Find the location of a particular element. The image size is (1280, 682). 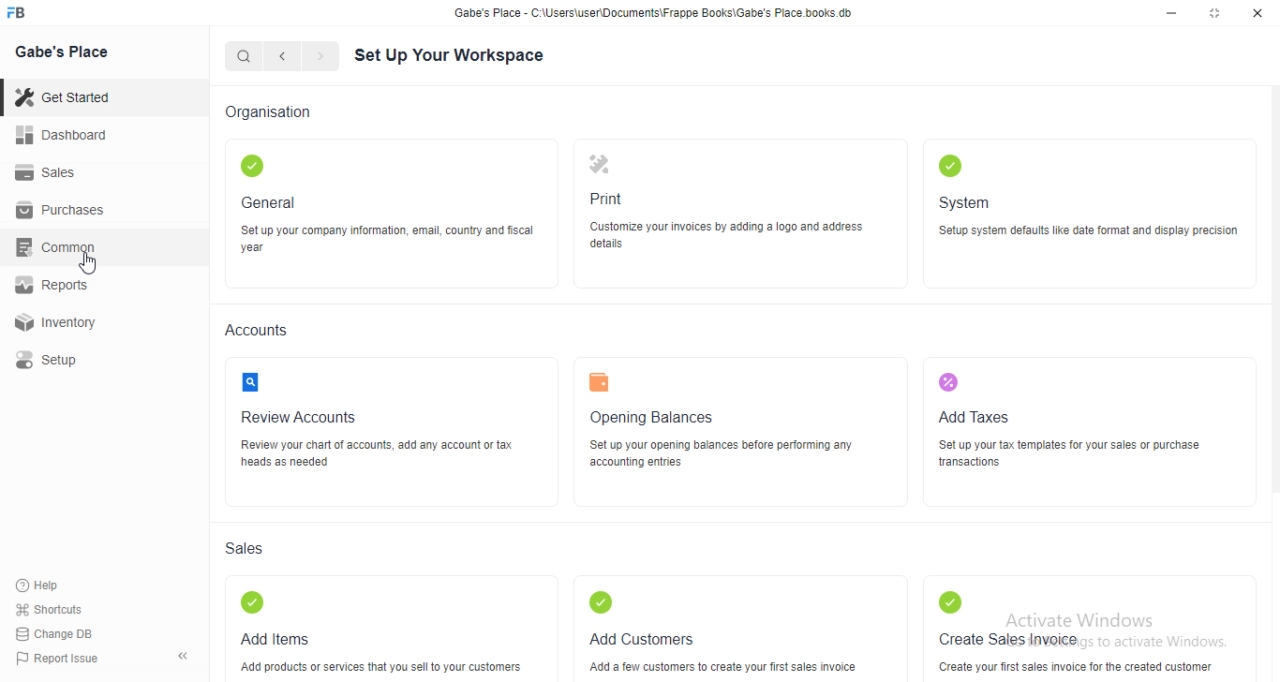

Add Taxes Set up your tax templates fo your sales of purchaseransactions is located at coordinates (1072, 428).